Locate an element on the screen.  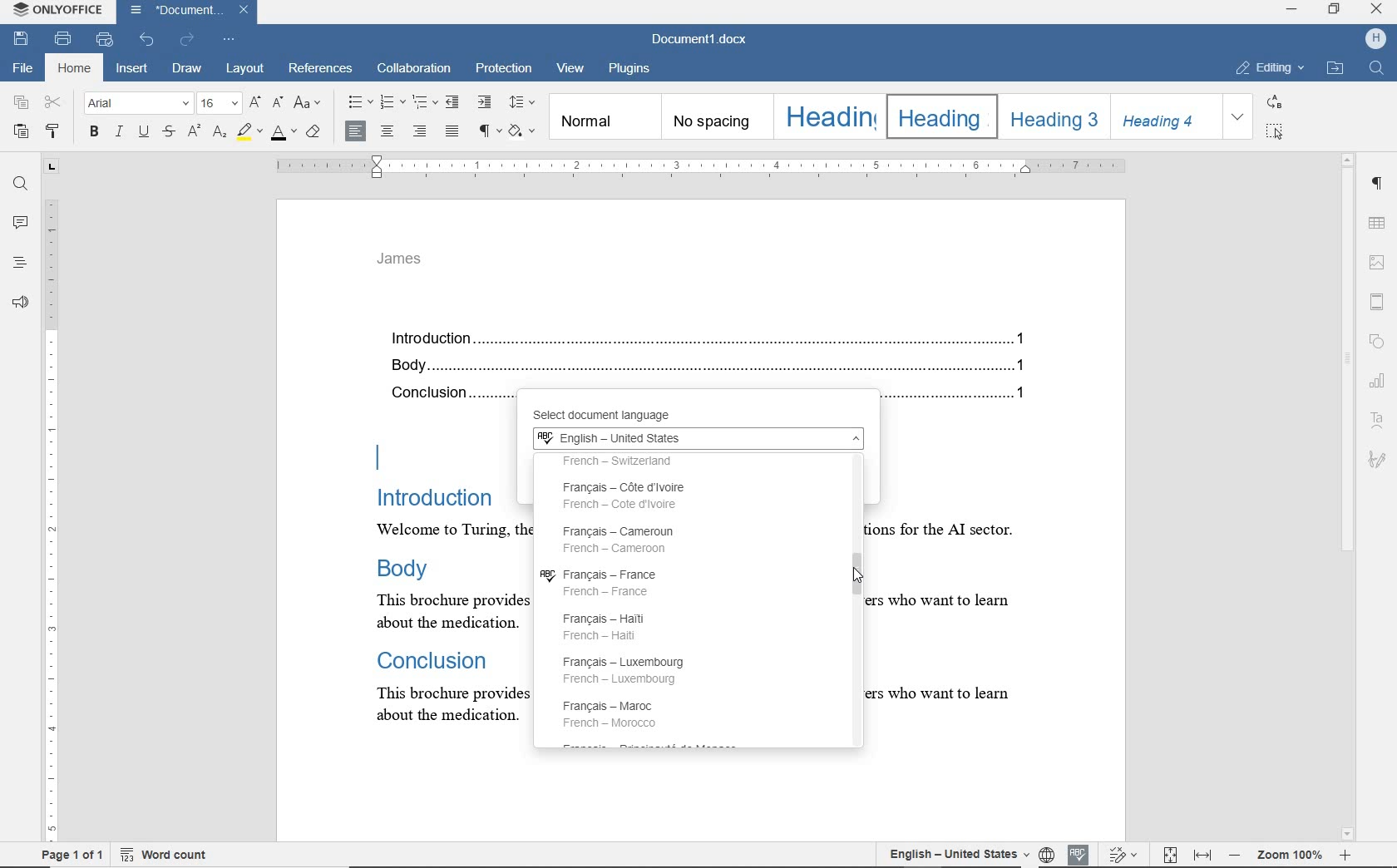
François - Maroc is located at coordinates (614, 713).